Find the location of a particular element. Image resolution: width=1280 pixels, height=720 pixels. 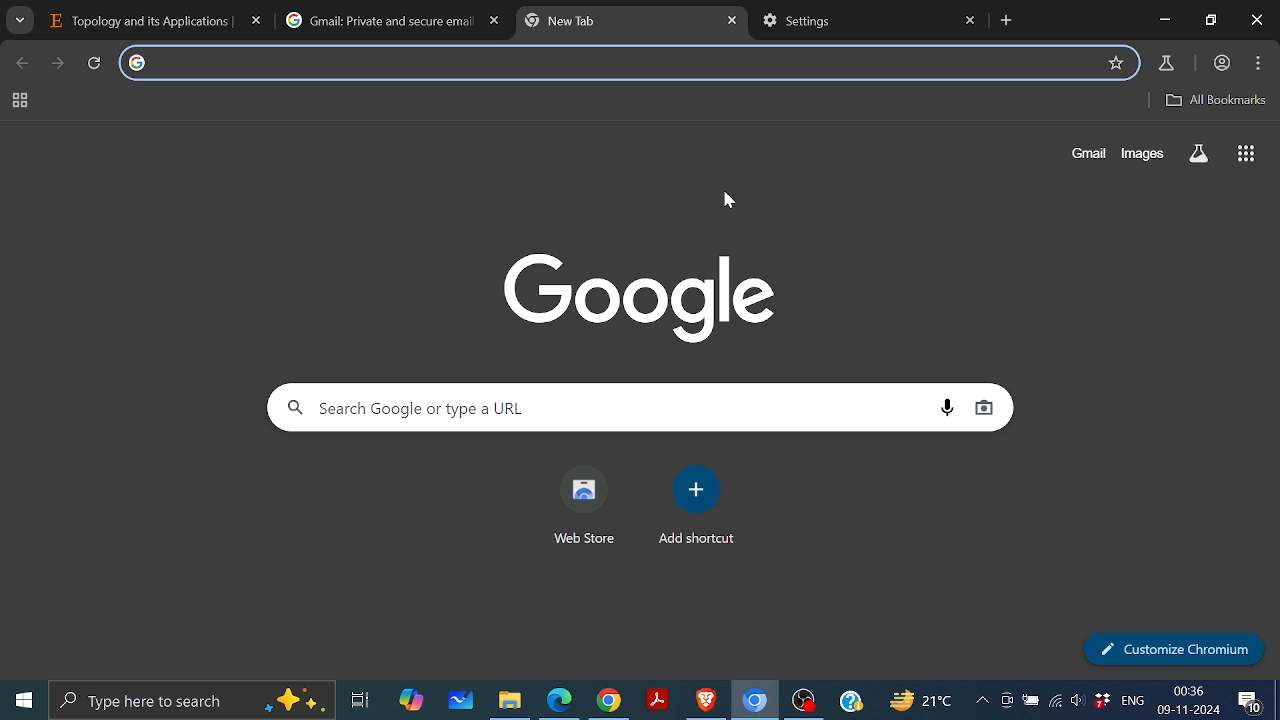

brave is located at coordinates (706, 700).